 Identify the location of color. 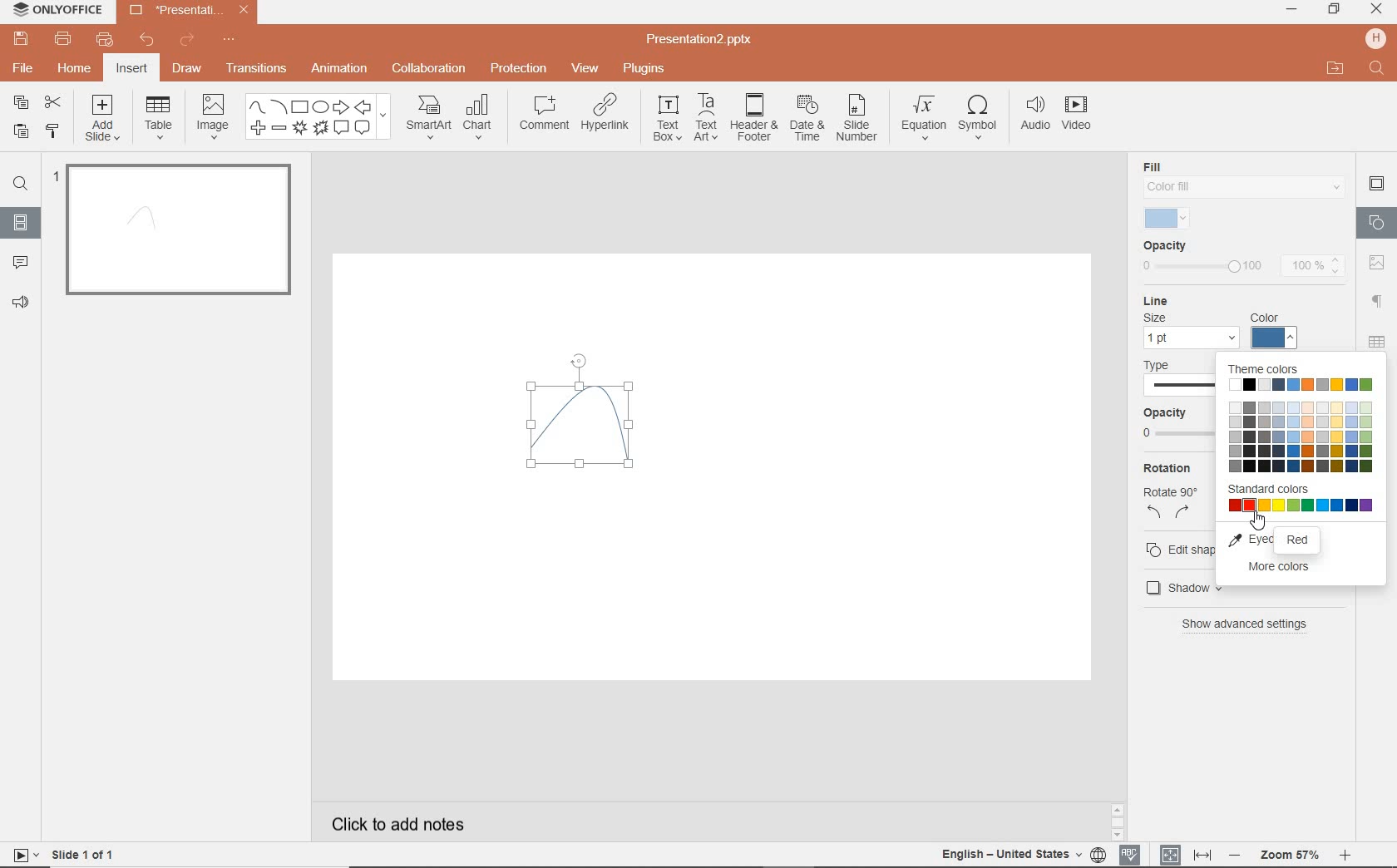
(1274, 330).